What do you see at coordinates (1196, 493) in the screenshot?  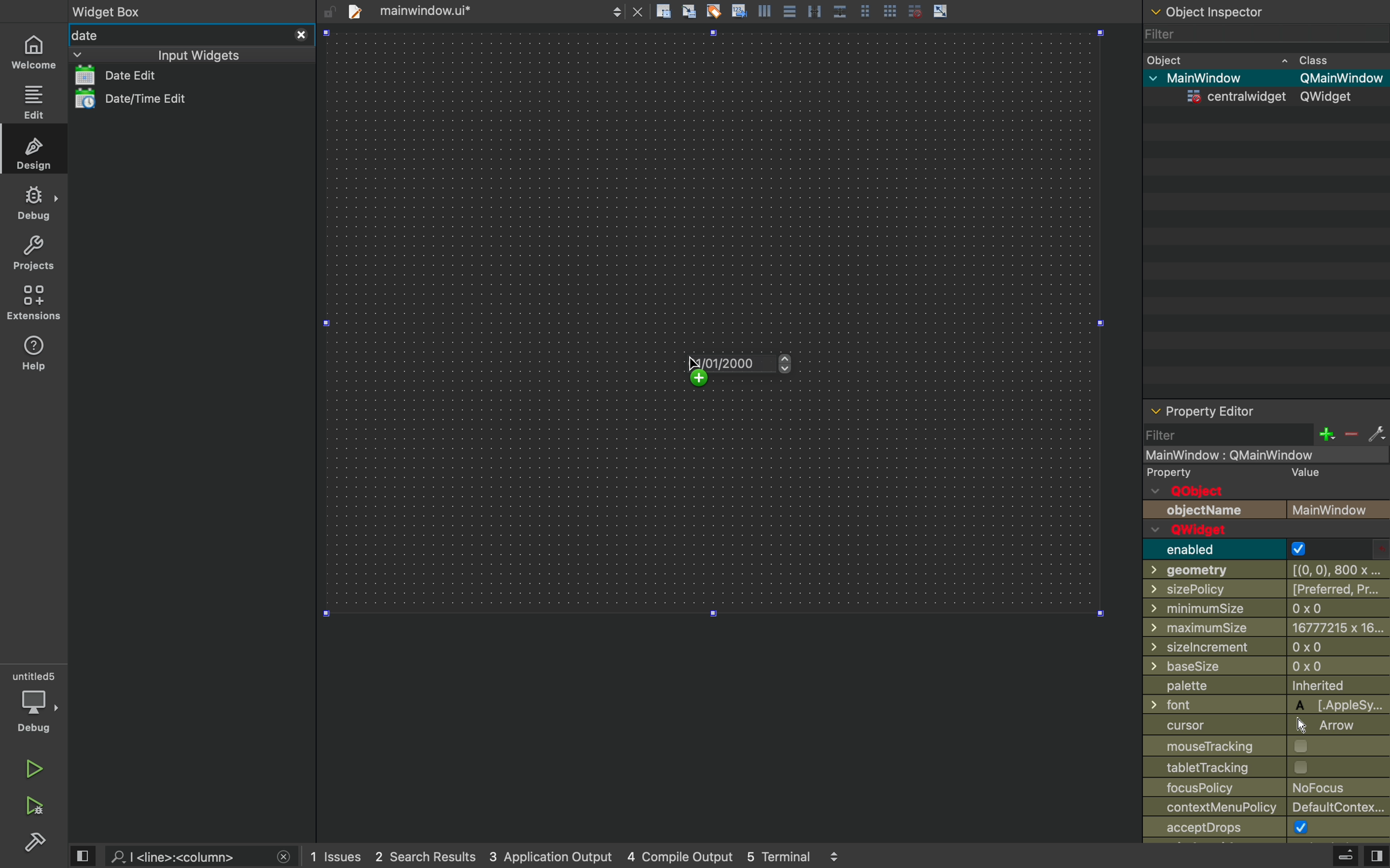 I see `q object` at bounding box center [1196, 493].